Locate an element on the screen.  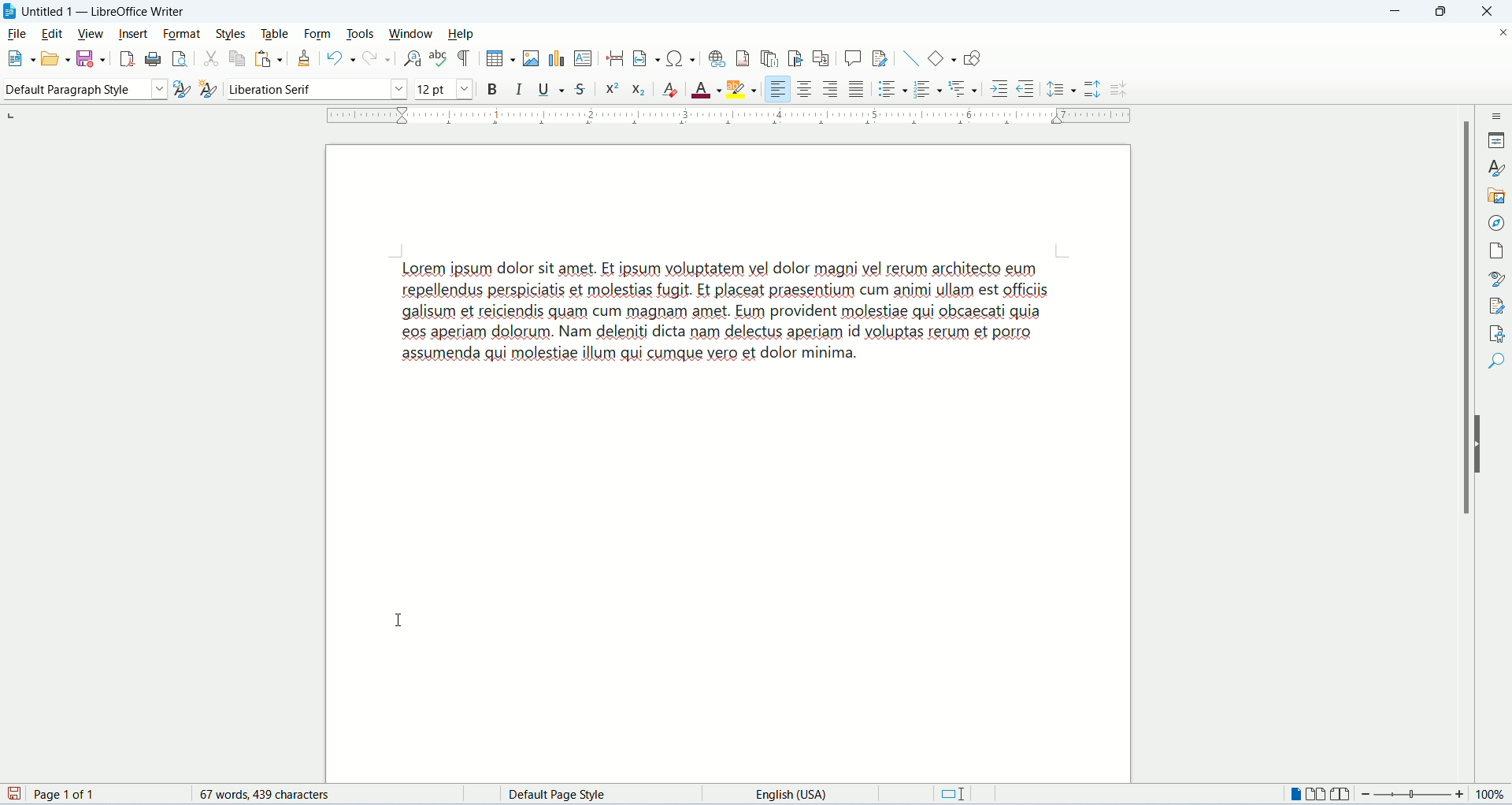
justified is located at coordinates (854, 89).